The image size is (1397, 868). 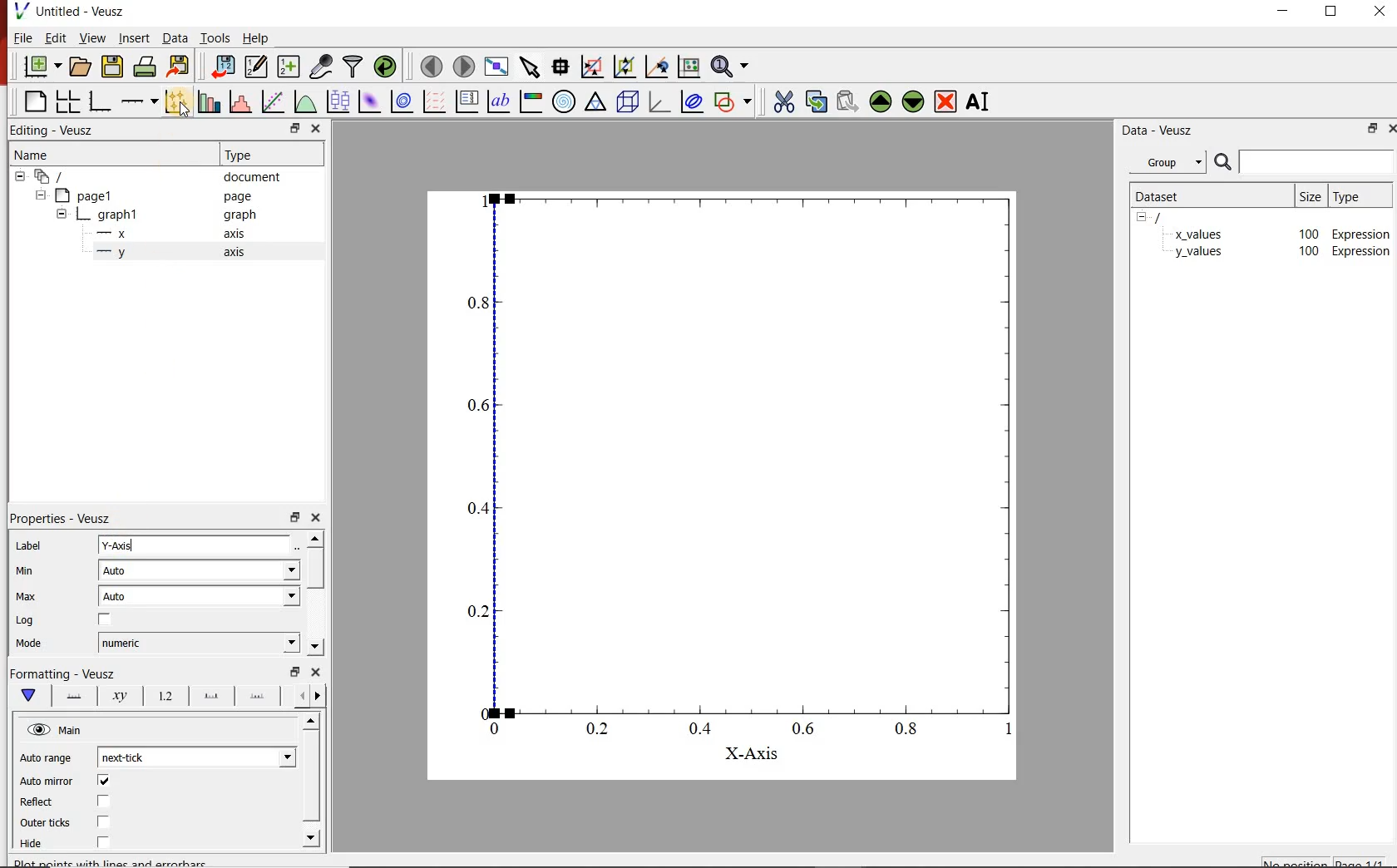 I want to click on tick label, so click(x=167, y=696).